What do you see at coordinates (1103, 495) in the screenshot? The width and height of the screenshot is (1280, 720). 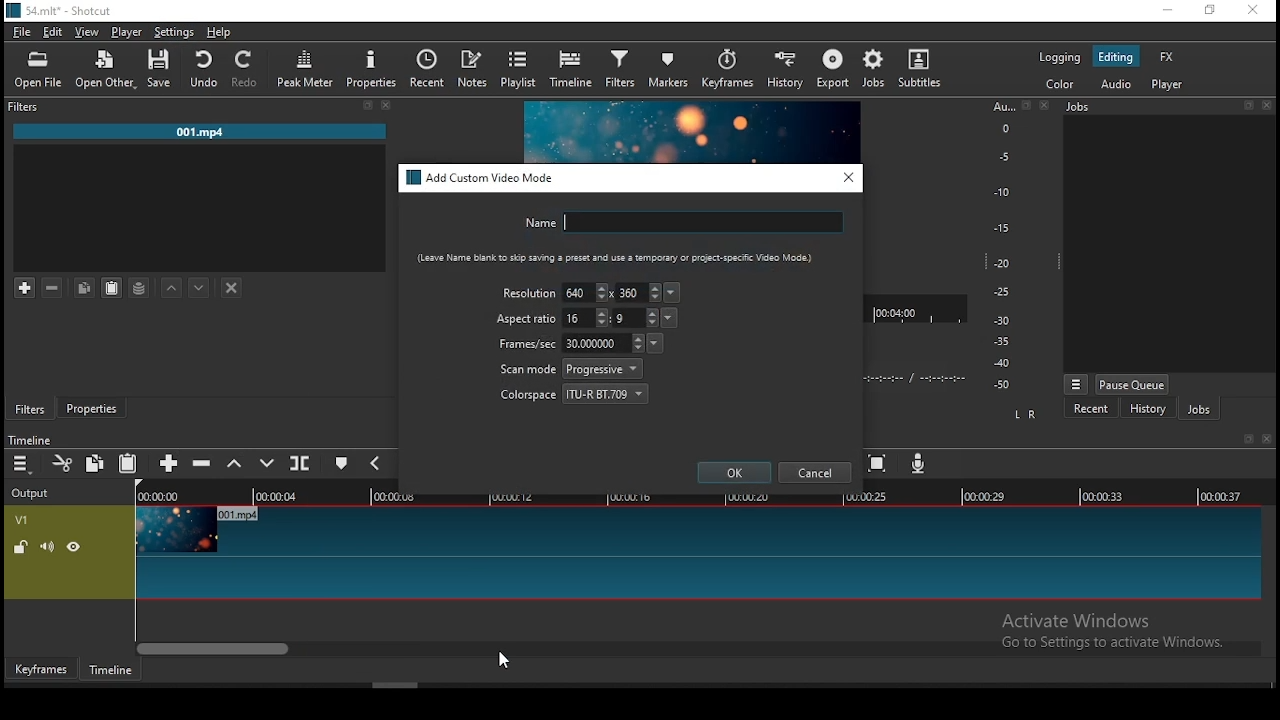 I see `00:00:33` at bounding box center [1103, 495].